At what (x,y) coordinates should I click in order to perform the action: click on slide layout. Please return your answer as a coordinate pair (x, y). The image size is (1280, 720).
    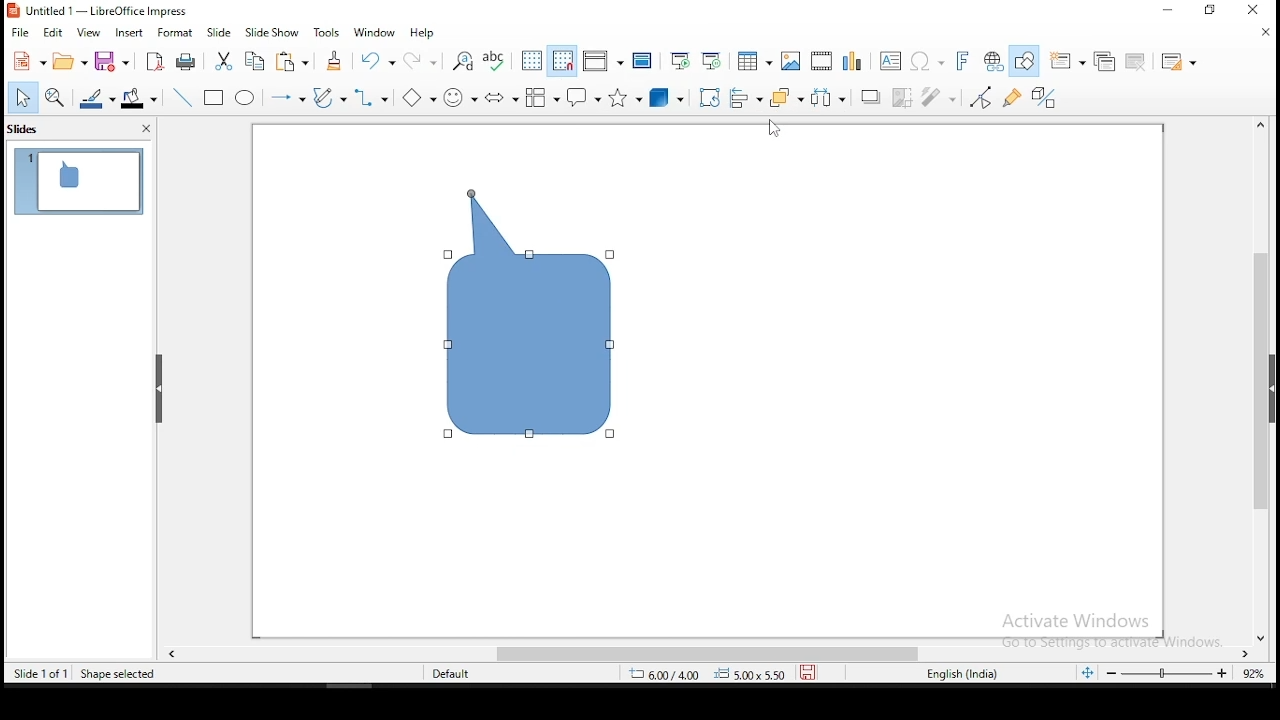
    Looking at the image, I should click on (1175, 59).